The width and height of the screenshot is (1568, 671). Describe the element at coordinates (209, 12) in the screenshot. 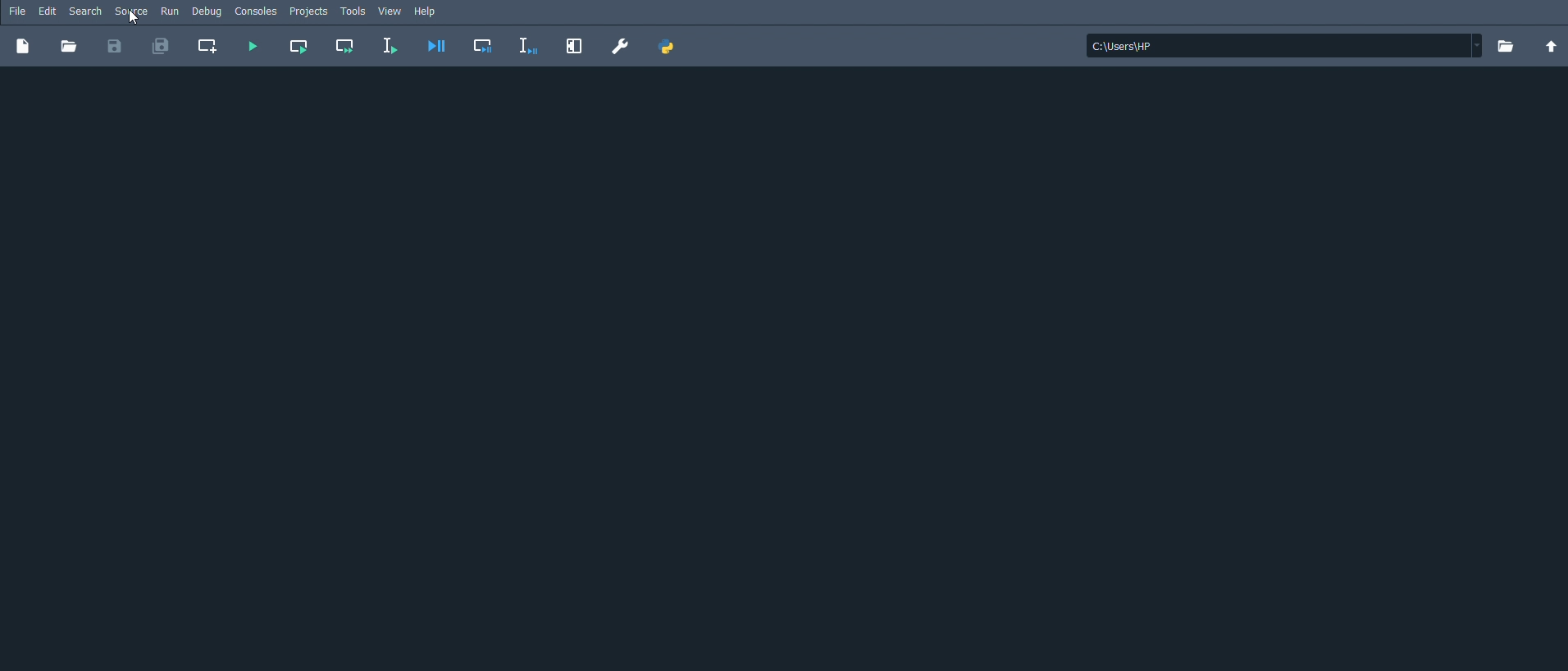

I see `Debug` at that location.